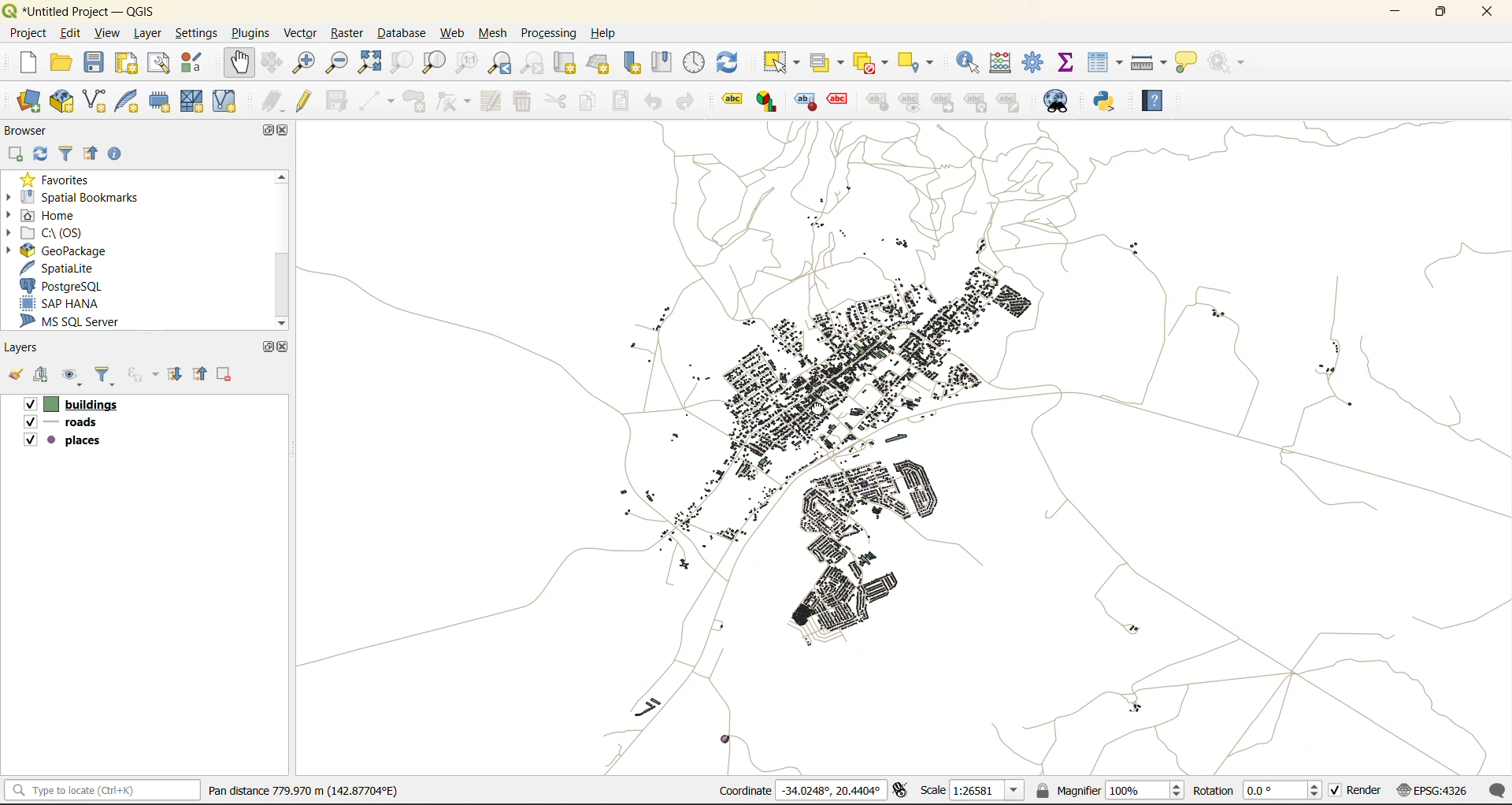  Describe the element at coordinates (602, 63) in the screenshot. I see `new 3d map view` at that location.